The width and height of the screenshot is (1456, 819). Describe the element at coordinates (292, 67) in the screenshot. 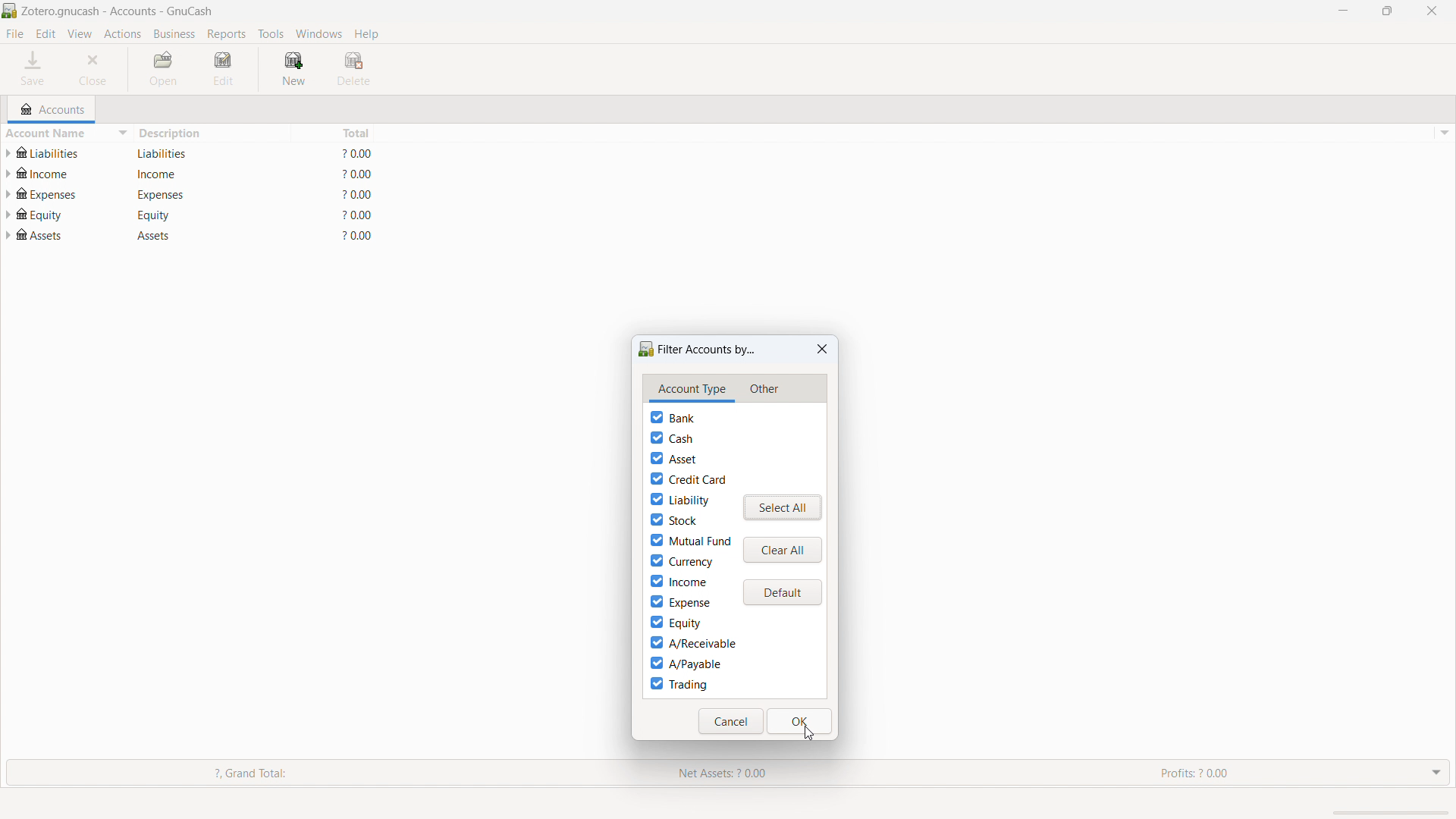

I see `new` at that location.